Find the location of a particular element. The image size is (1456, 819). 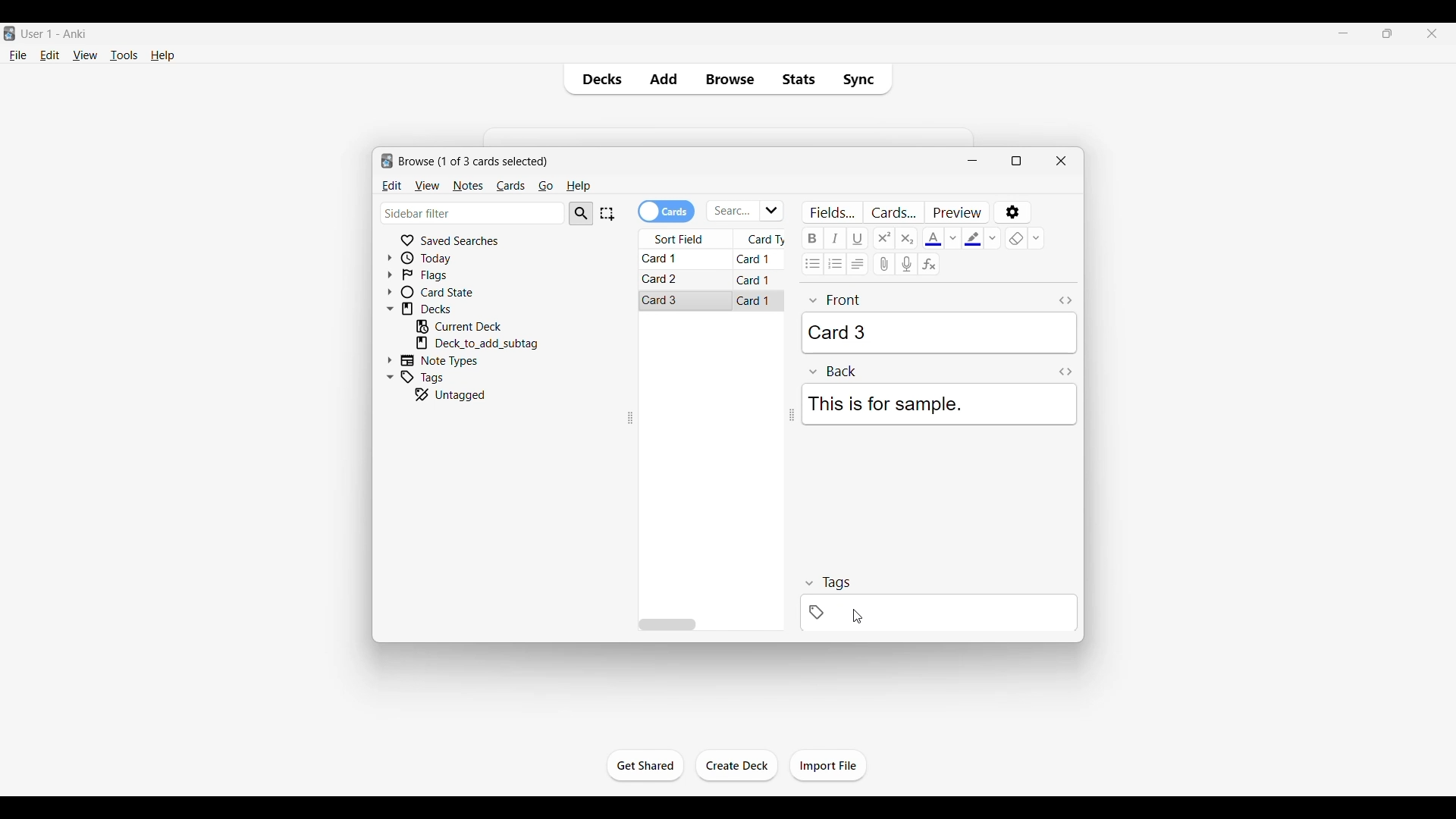

Card type column is located at coordinates (763, 237).